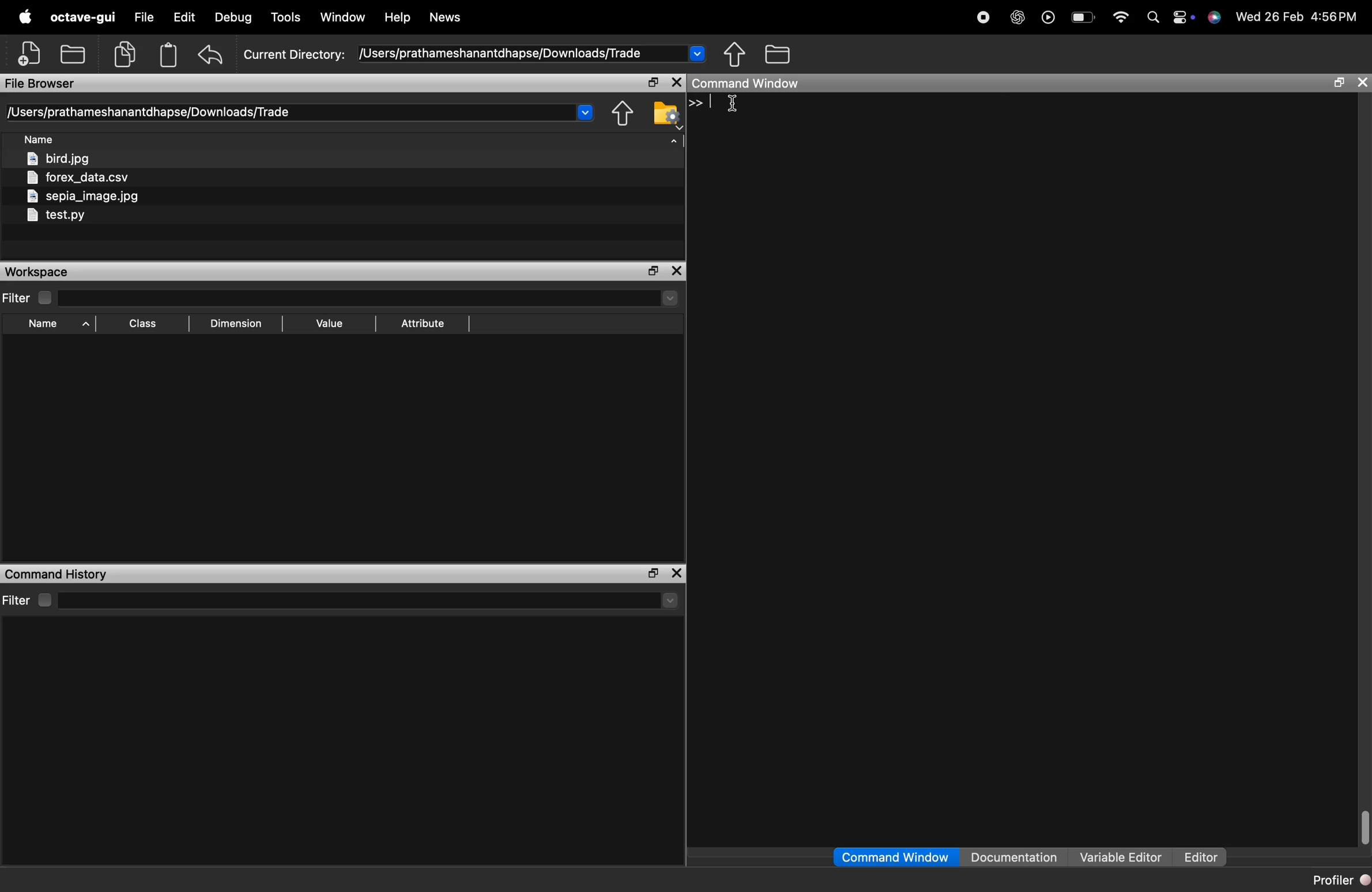 This screenshot has height=892, width=1372. What do you see at coordinates (31, 52) in the screenshot?
I see `add file` at bounding box center [31, 52].